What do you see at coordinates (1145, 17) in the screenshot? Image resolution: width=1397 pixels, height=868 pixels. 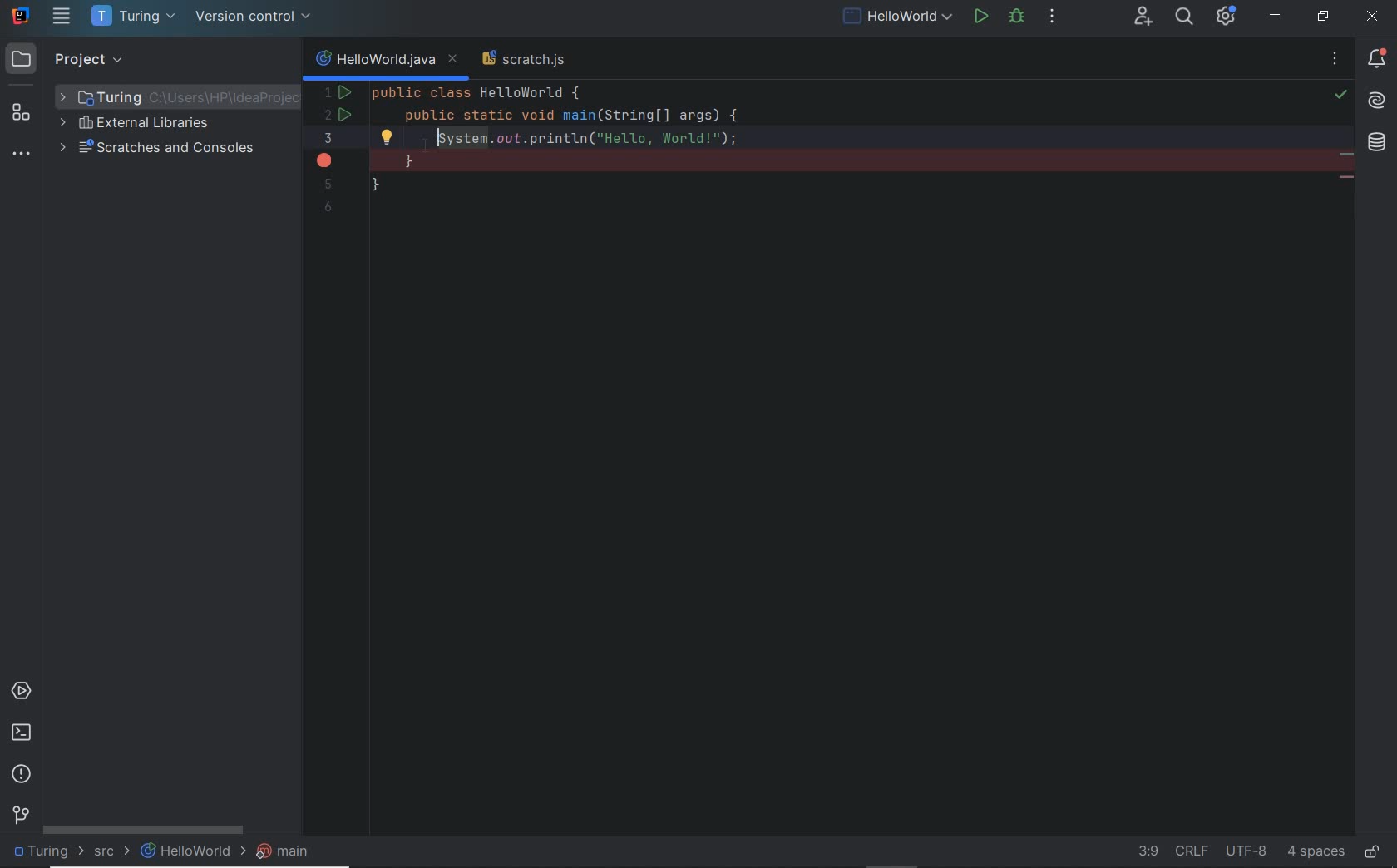 I see `code with me` at bounding box center [1145, 17].